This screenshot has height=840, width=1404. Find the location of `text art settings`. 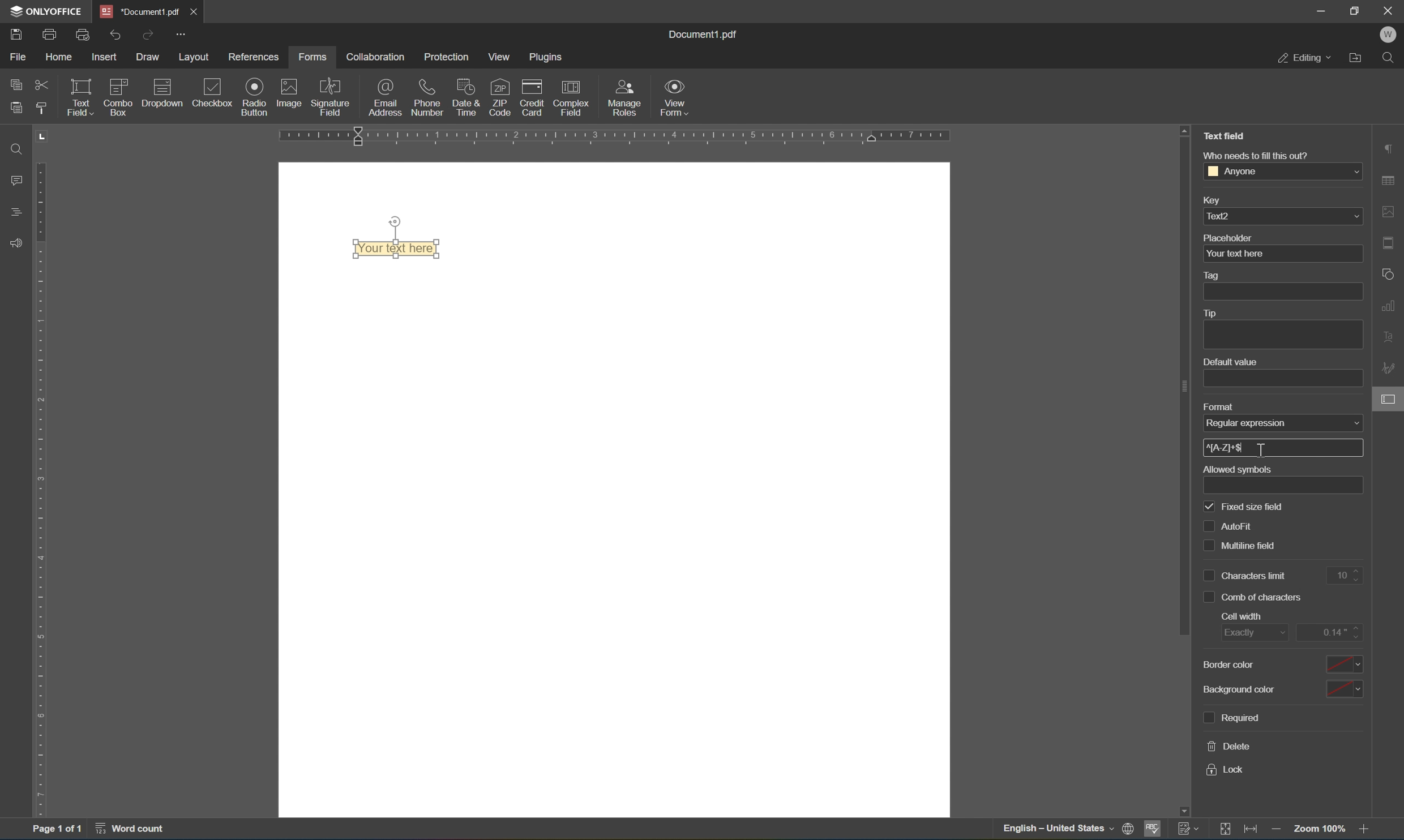

text art settings is located at coordinates (1388, 340).